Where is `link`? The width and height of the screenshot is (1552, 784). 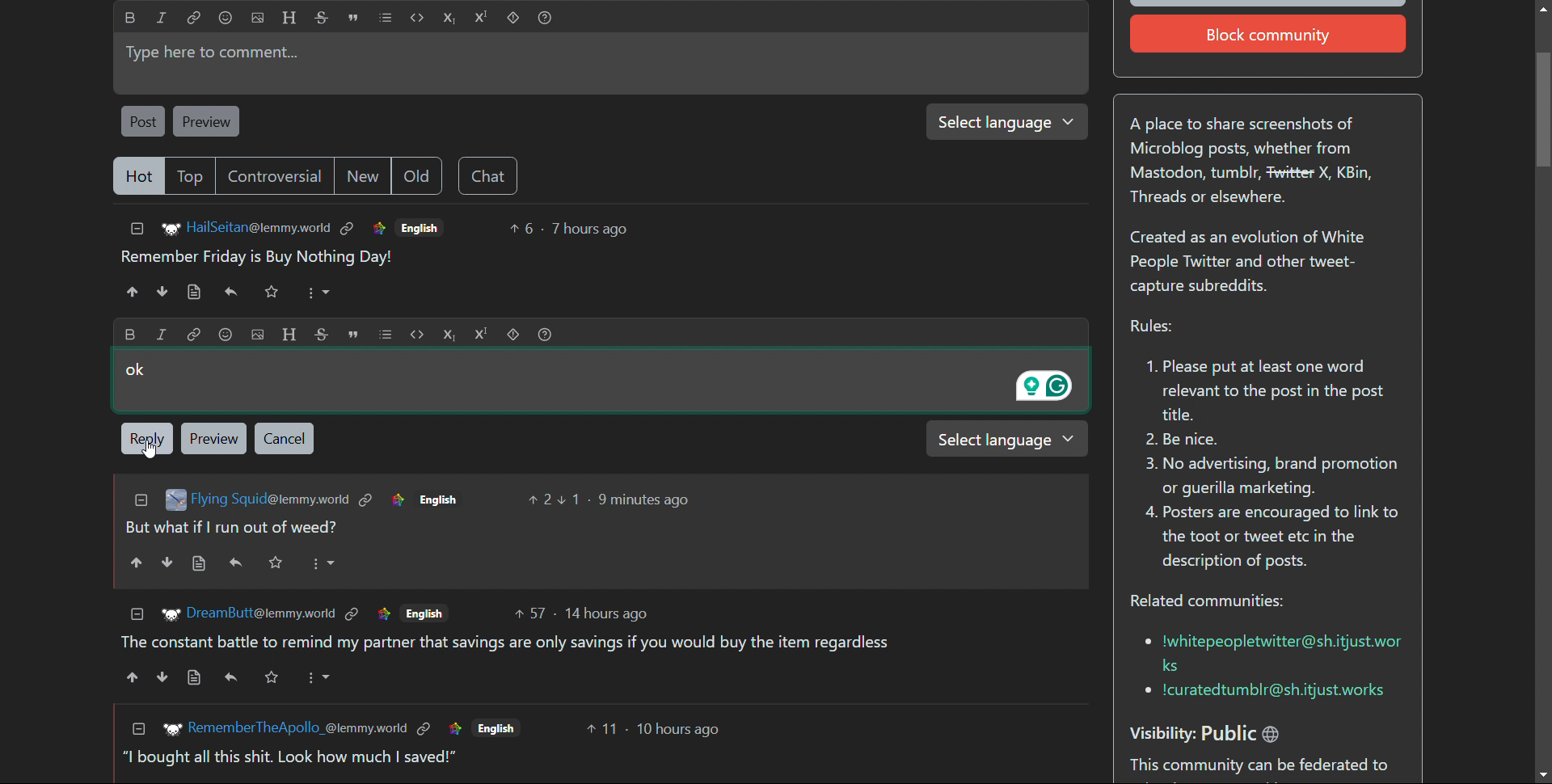
link is located at coordinates (193, 332).